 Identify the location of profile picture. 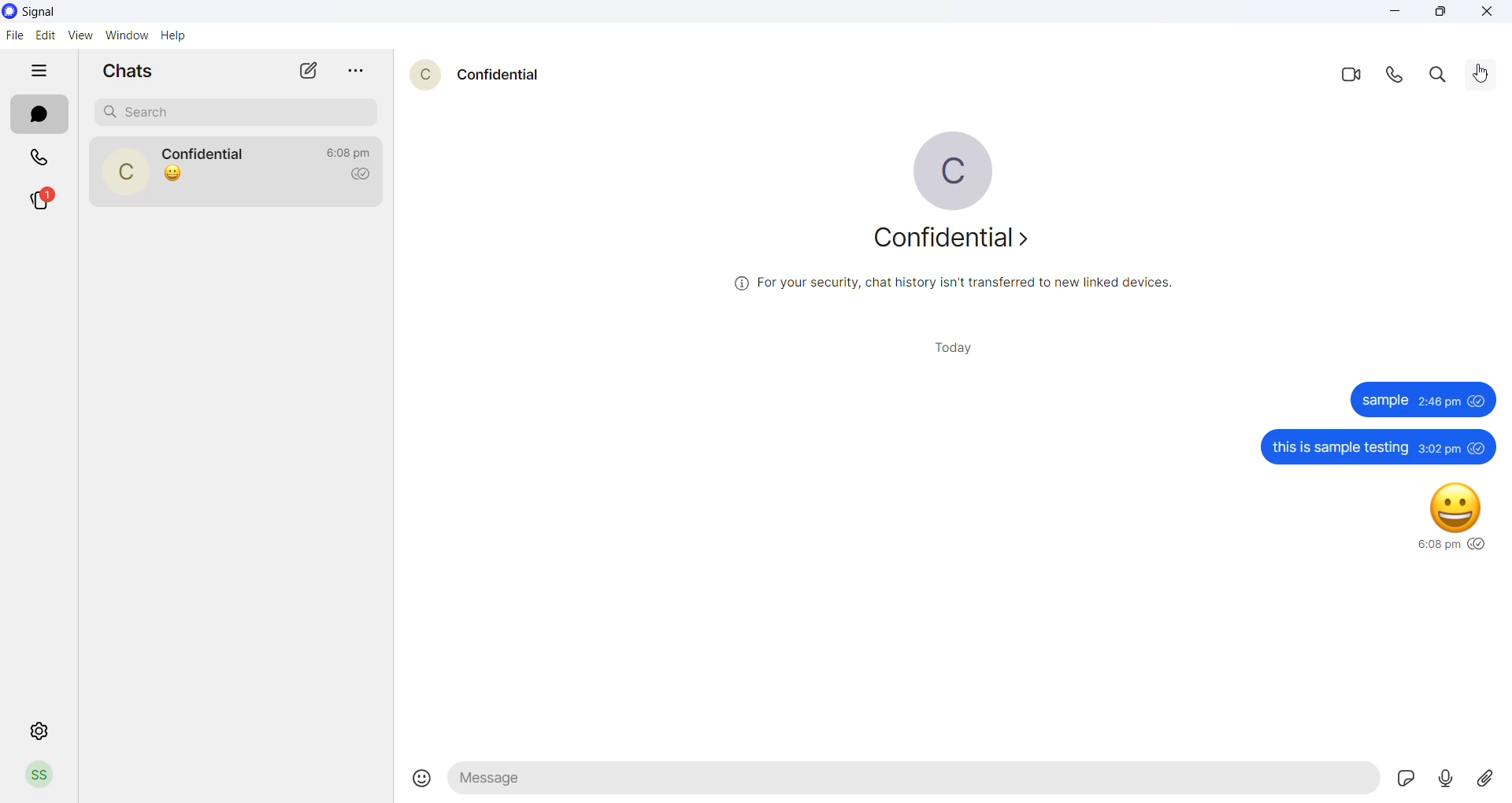
(424, 73).